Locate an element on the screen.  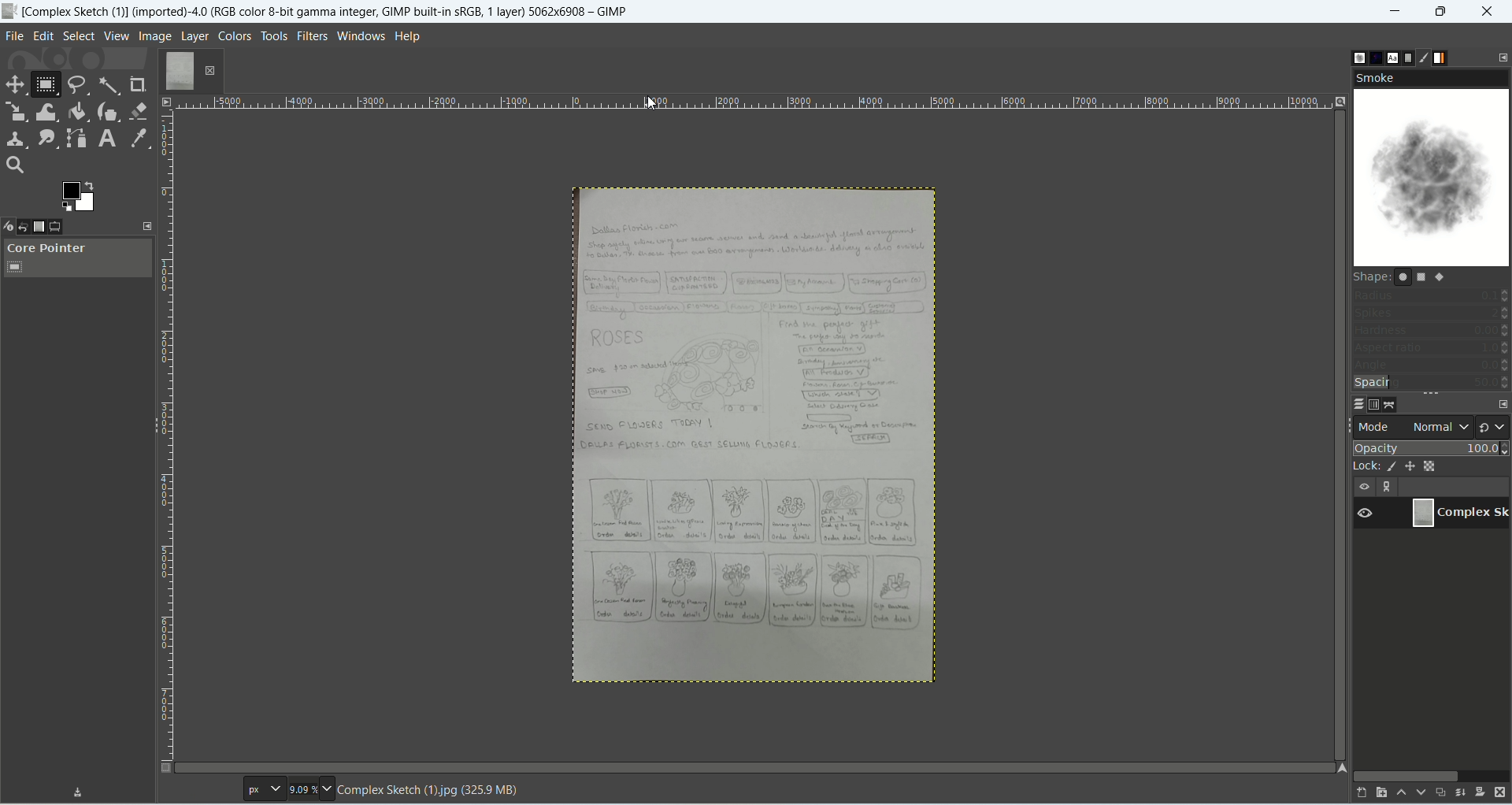
core pointer is located at coordinates (80, 258).